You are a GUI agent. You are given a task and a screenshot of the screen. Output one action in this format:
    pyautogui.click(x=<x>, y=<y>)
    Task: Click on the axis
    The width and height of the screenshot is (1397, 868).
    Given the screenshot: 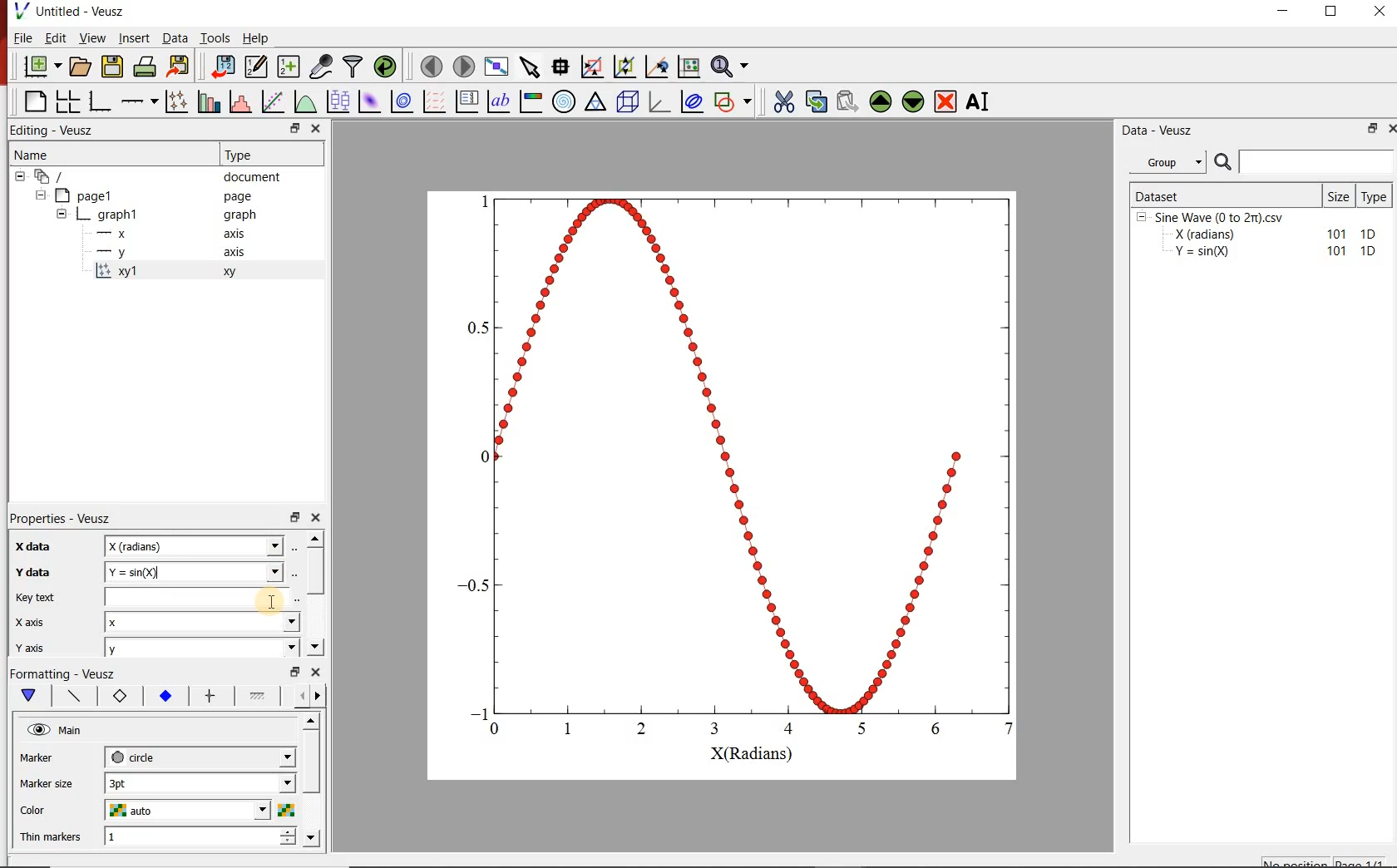 What is the action you would take?
    pyautogui.click(x=235, y=233)
    